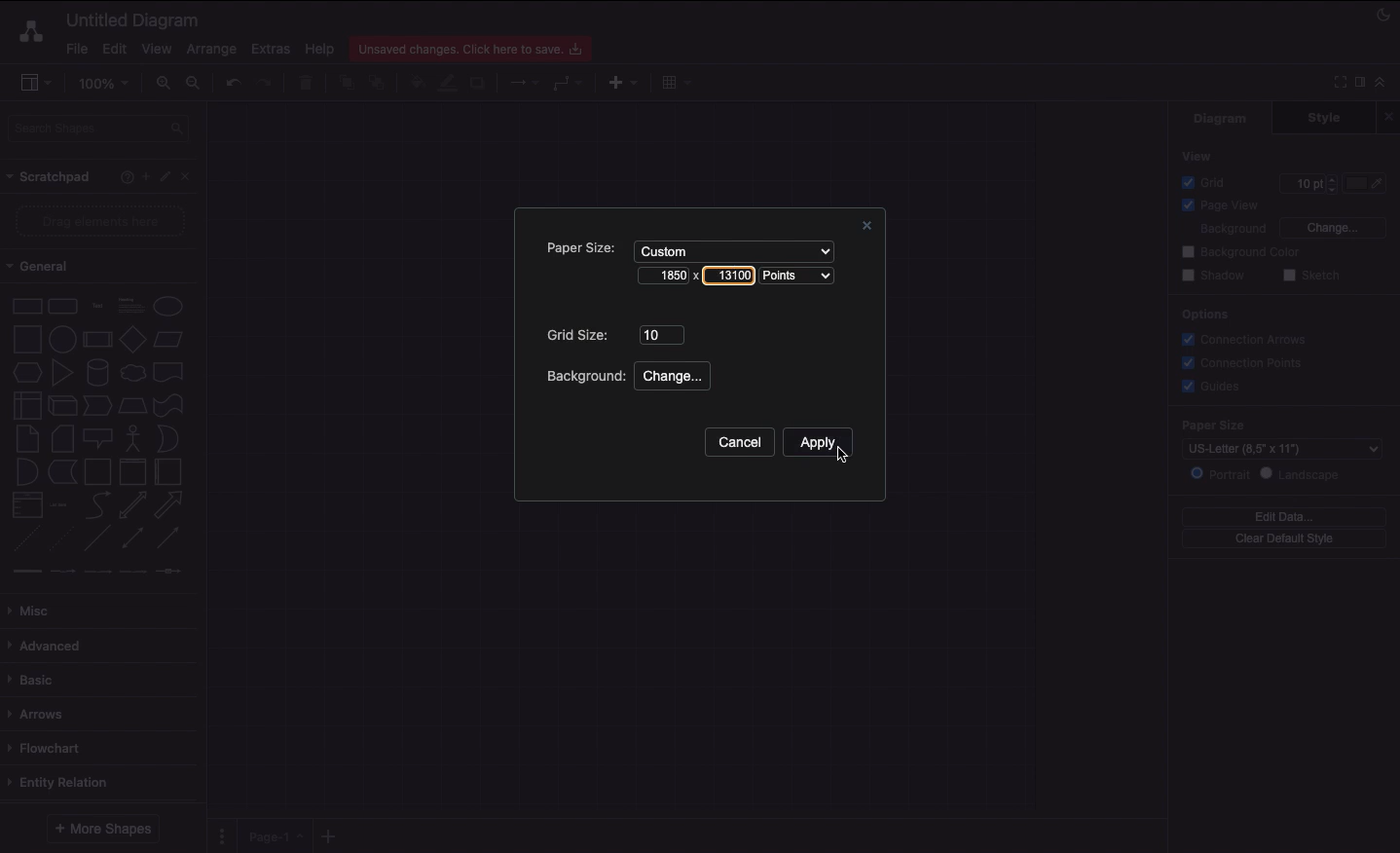 This screenshot has width=1400, height=853. Describe the element at coordinates (1304, 474) in the screenshot. I see `Landscape ` at that location.